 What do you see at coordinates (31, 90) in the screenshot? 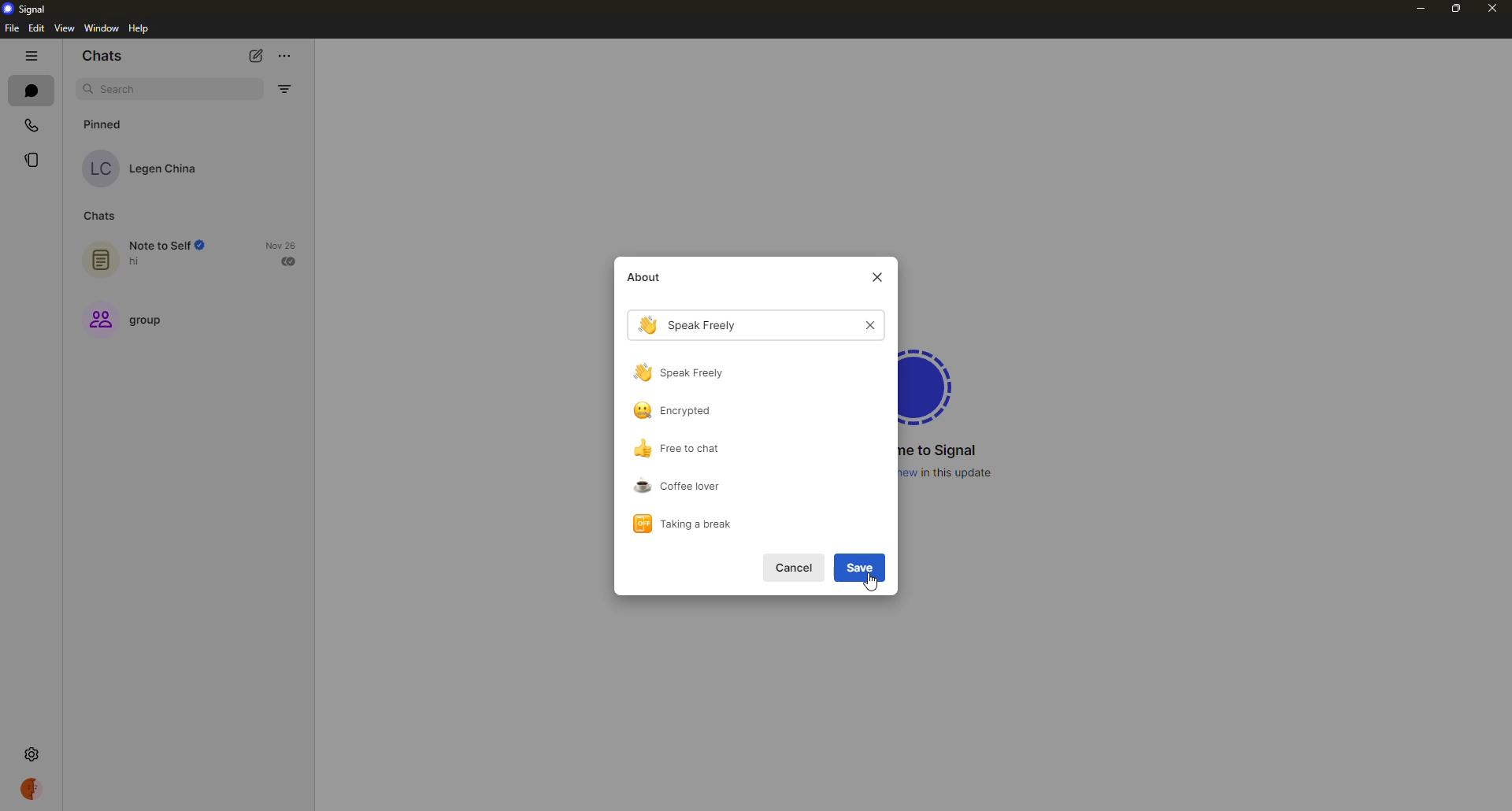
I see `chats` at bounding box center [31, 90].